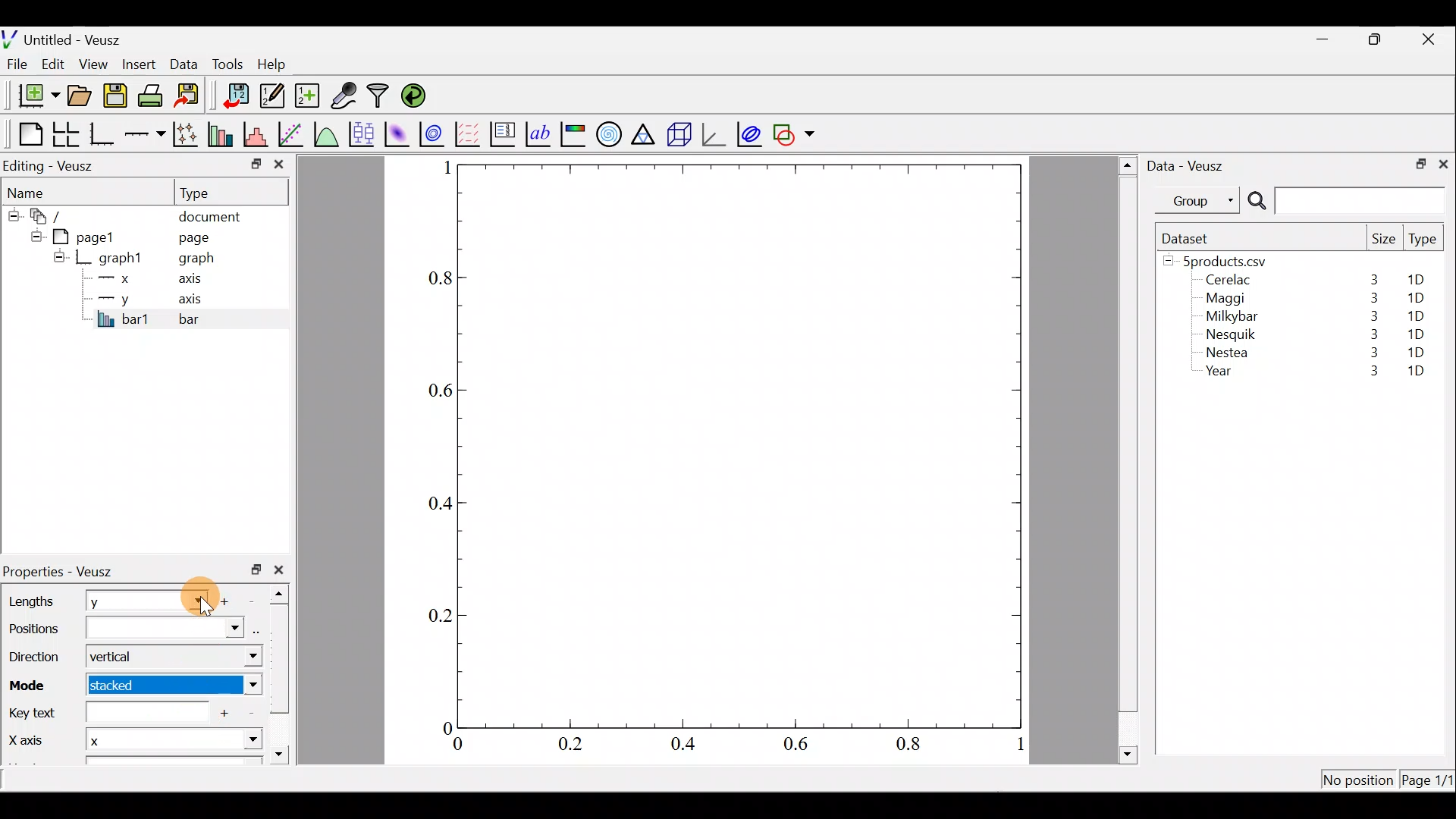  I want to click on Print the document, so click(155, 95).